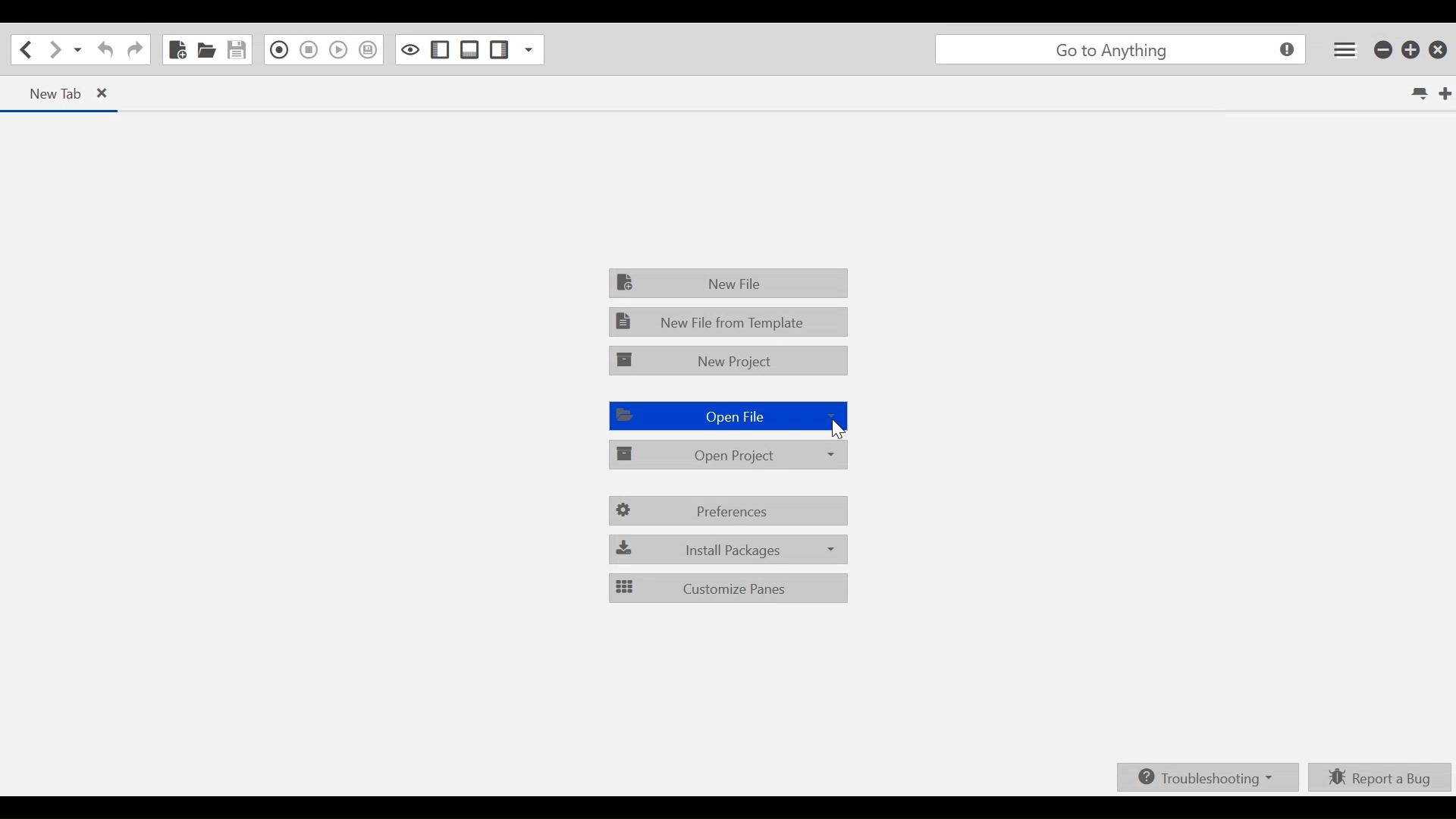 This screenshot has height=819, width=1456. What do you see at coordinates (730, 322) in the screenshot?
I see `New File from Template` at bounding box center [730, 322].